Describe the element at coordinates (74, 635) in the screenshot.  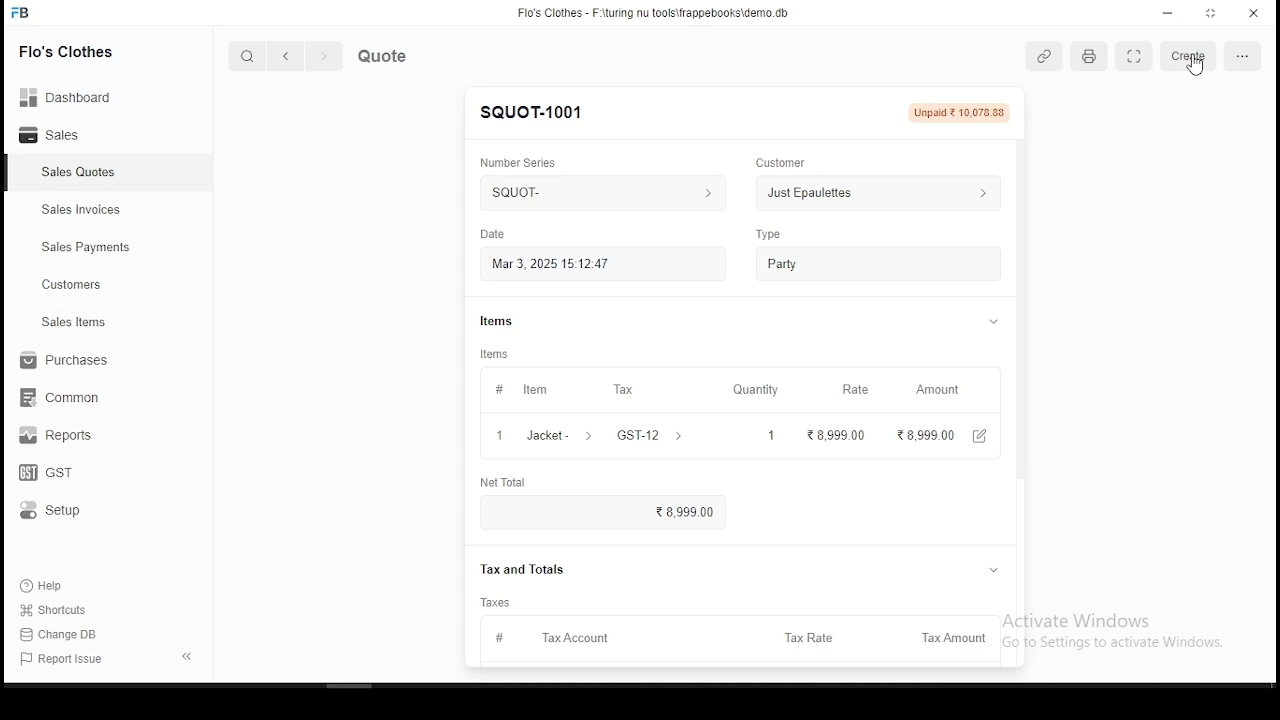
I see `change DB` at that location.